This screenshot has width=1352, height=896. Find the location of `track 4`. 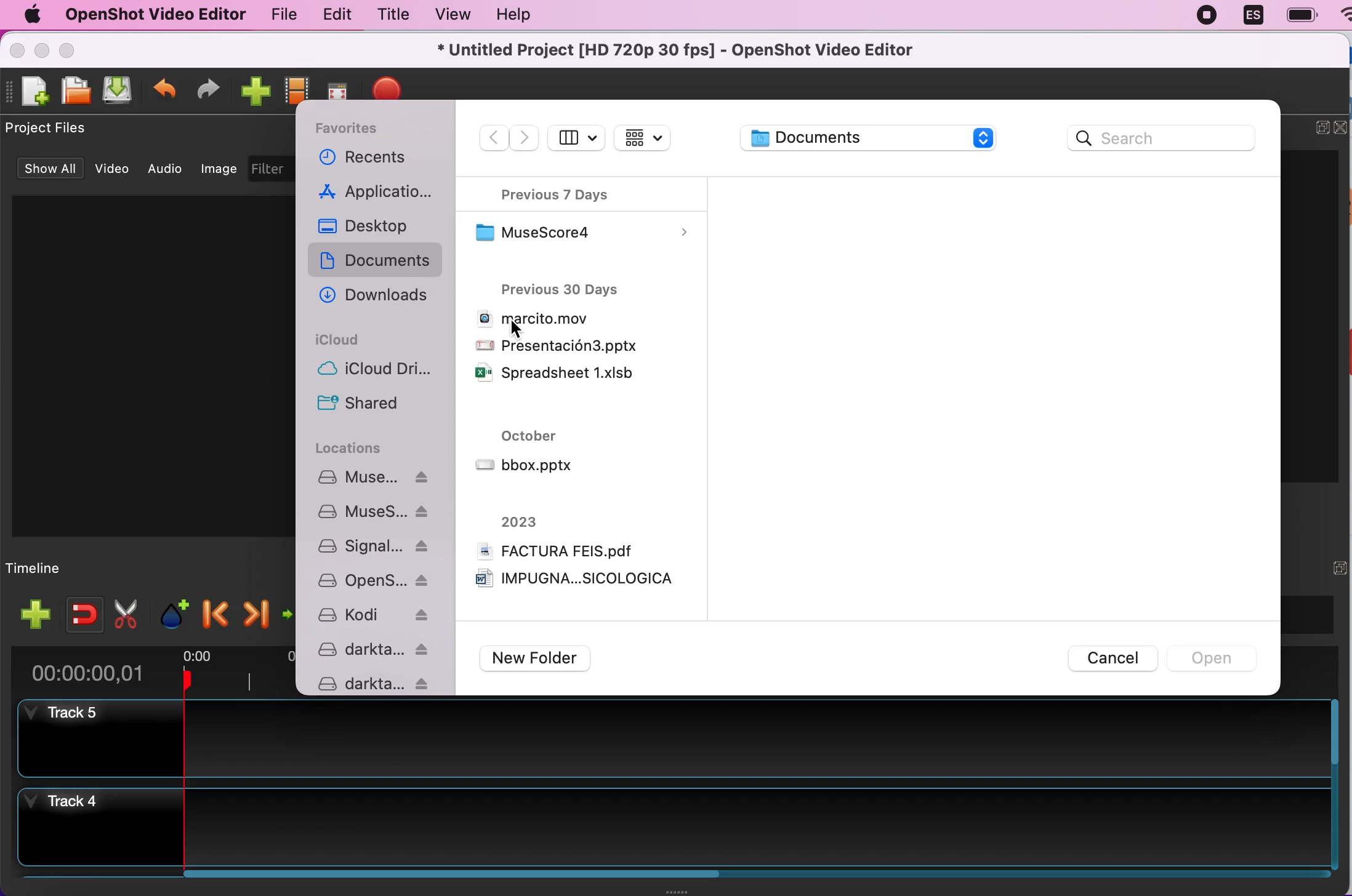

track 4 is located at coordinates (672, 828).